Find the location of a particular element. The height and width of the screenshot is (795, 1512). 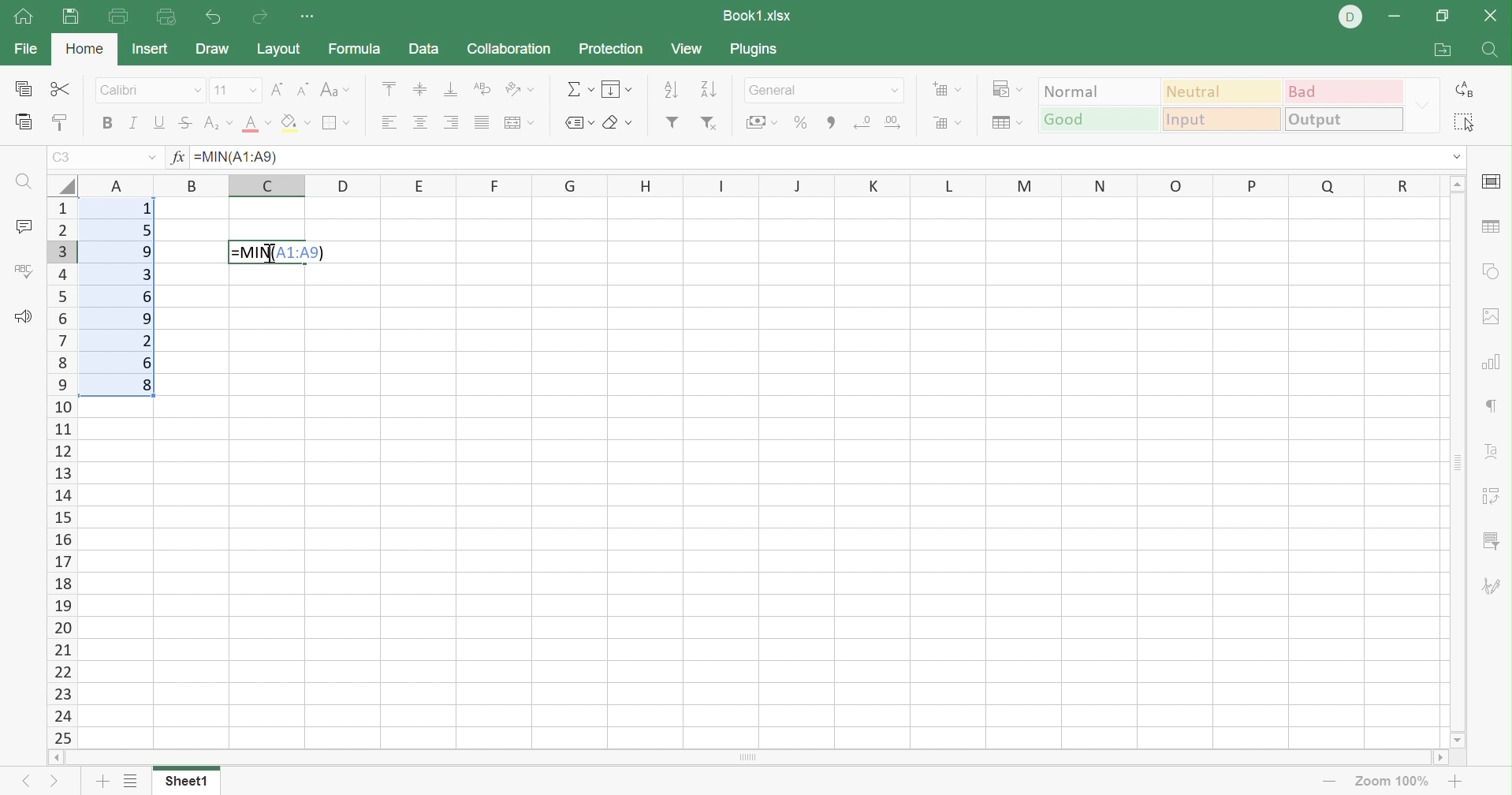

Comment is located at coordinates (22, 226).